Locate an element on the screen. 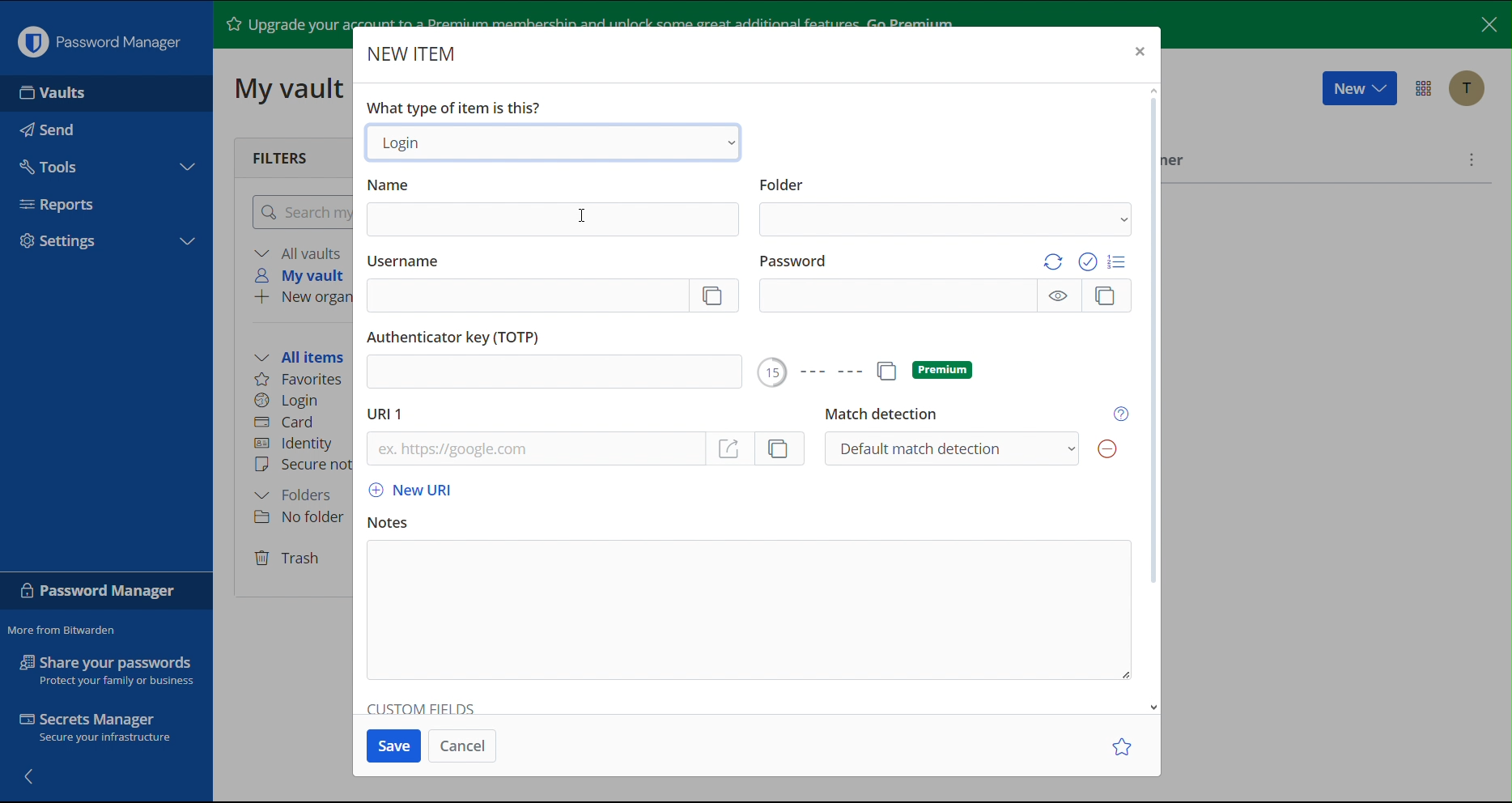  Folder is located at coordinates (944, 204).